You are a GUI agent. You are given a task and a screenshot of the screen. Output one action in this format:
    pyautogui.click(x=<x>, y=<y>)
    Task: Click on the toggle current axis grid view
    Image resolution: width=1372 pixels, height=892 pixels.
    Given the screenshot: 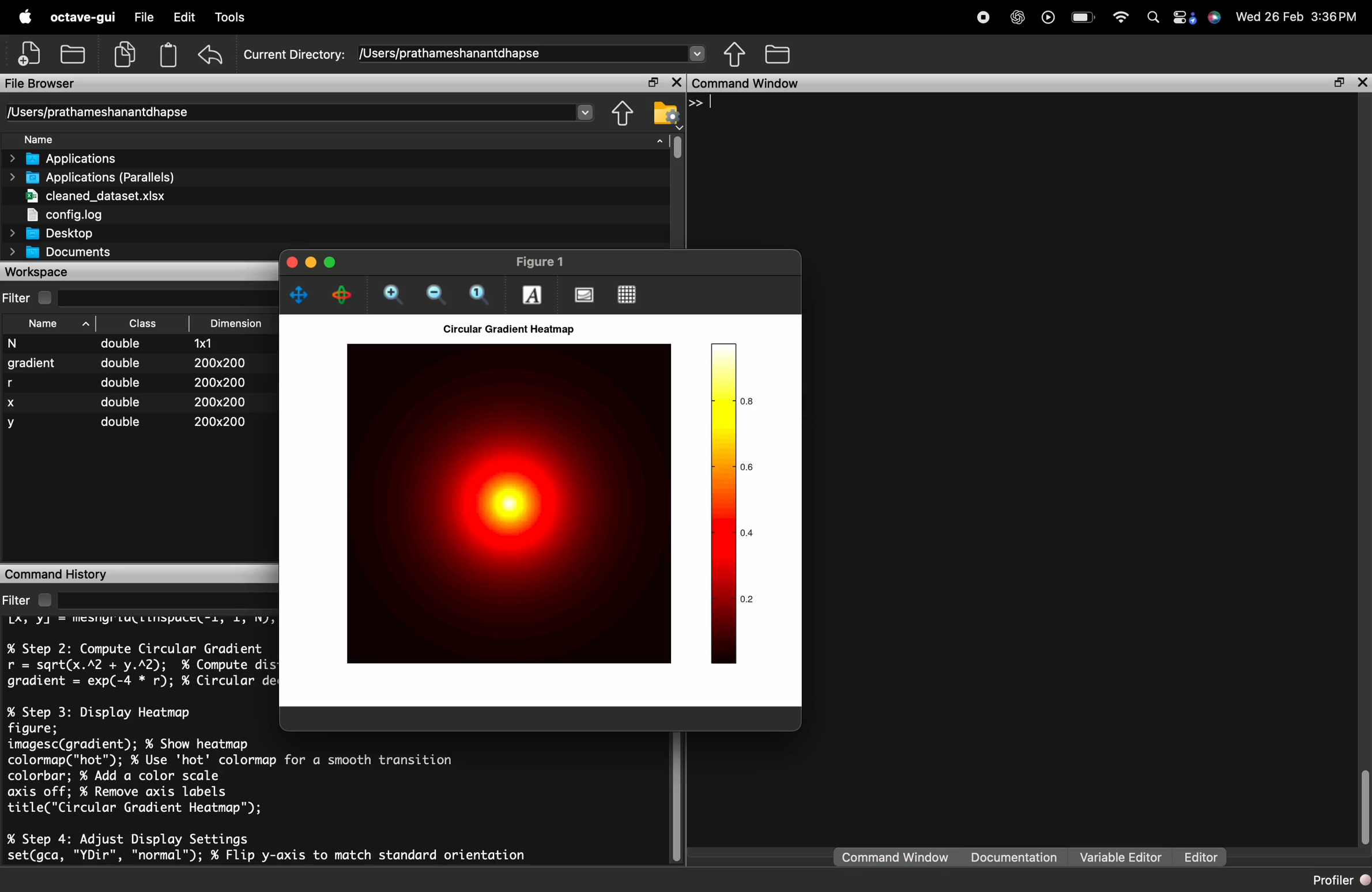 What is the action you would take?
    pyautogui.click(x=626, y=294)
    